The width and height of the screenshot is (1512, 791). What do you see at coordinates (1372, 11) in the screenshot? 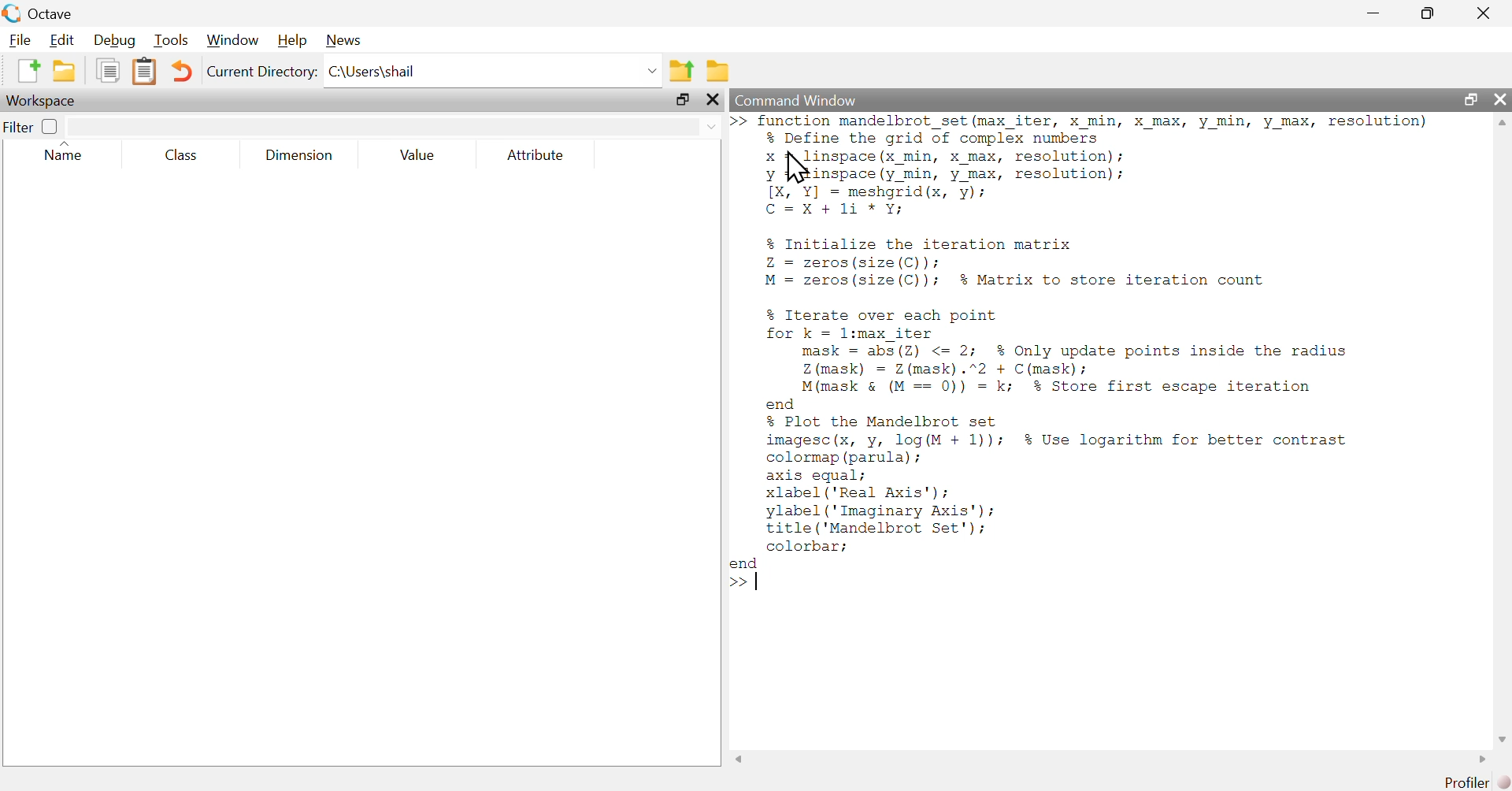
I see `minimize` at bounding box center [1372, 11].